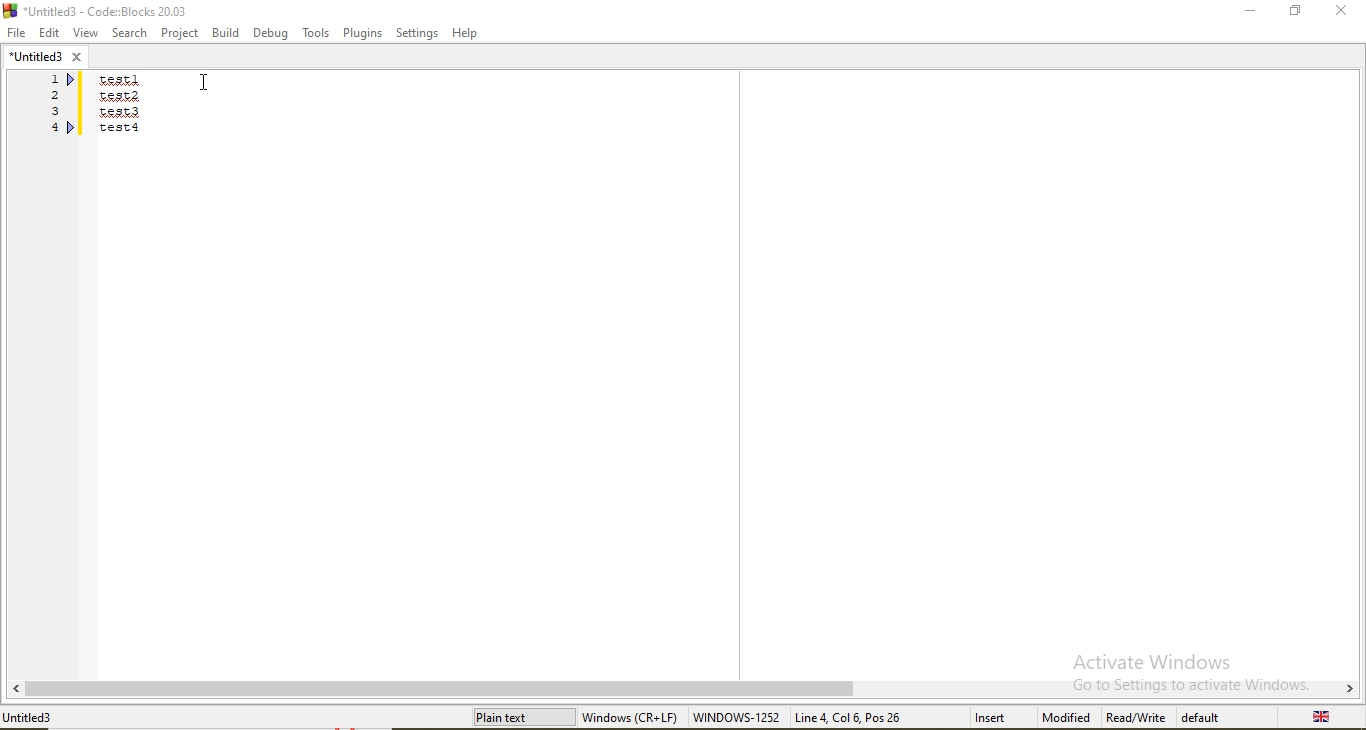 Image resolution: width=1366 pixels, height=730 pixels. What do you see at coordinates (360, 33) in the screenshot?
I see `Plugins ` at bounding box center [360, 33].